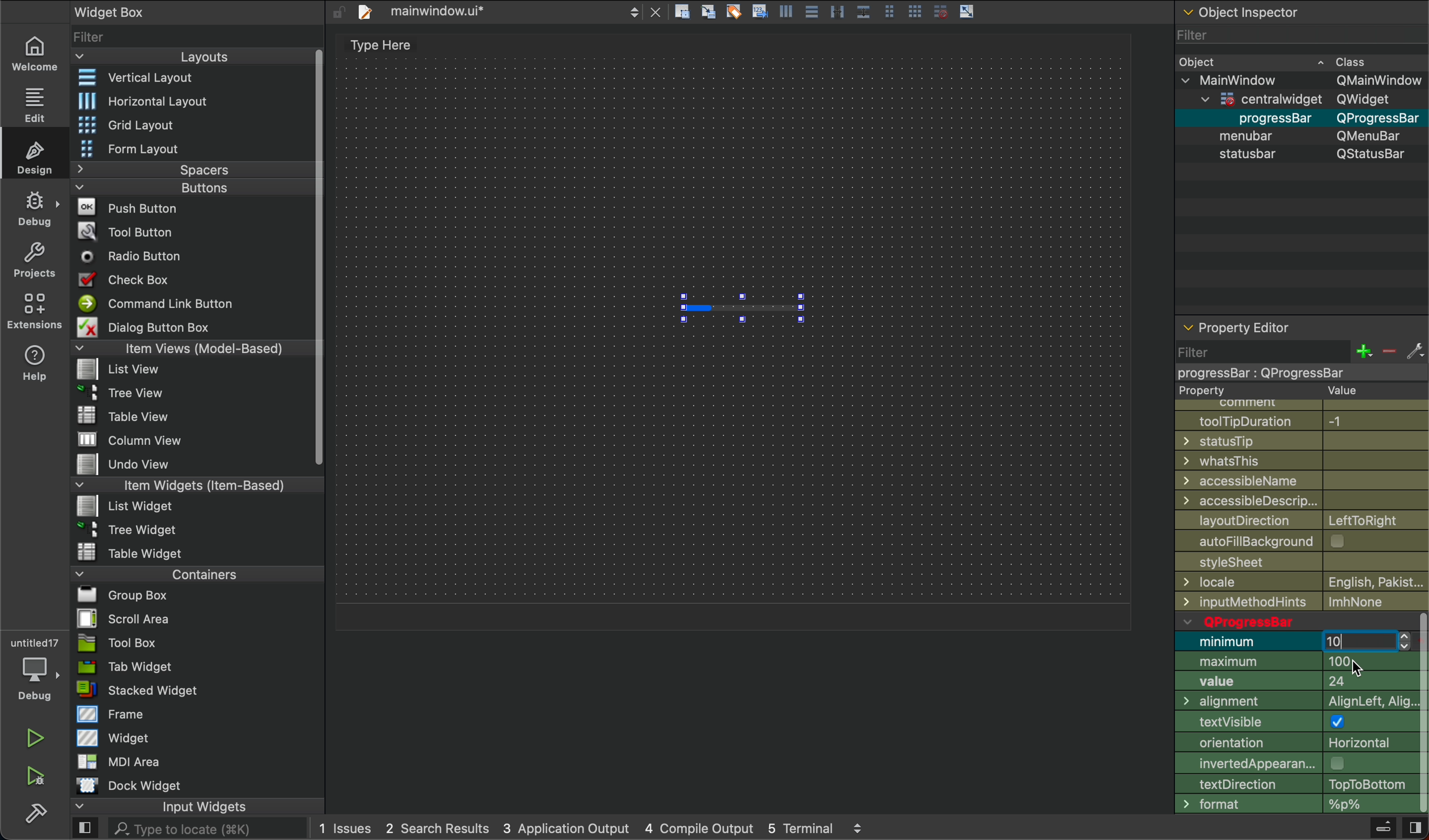 This screenshot has width=1429, height=840. What do you see at coordinates (116, 761) in the screenshot?
I see `MDI Area` at bounding box center [116, 761].